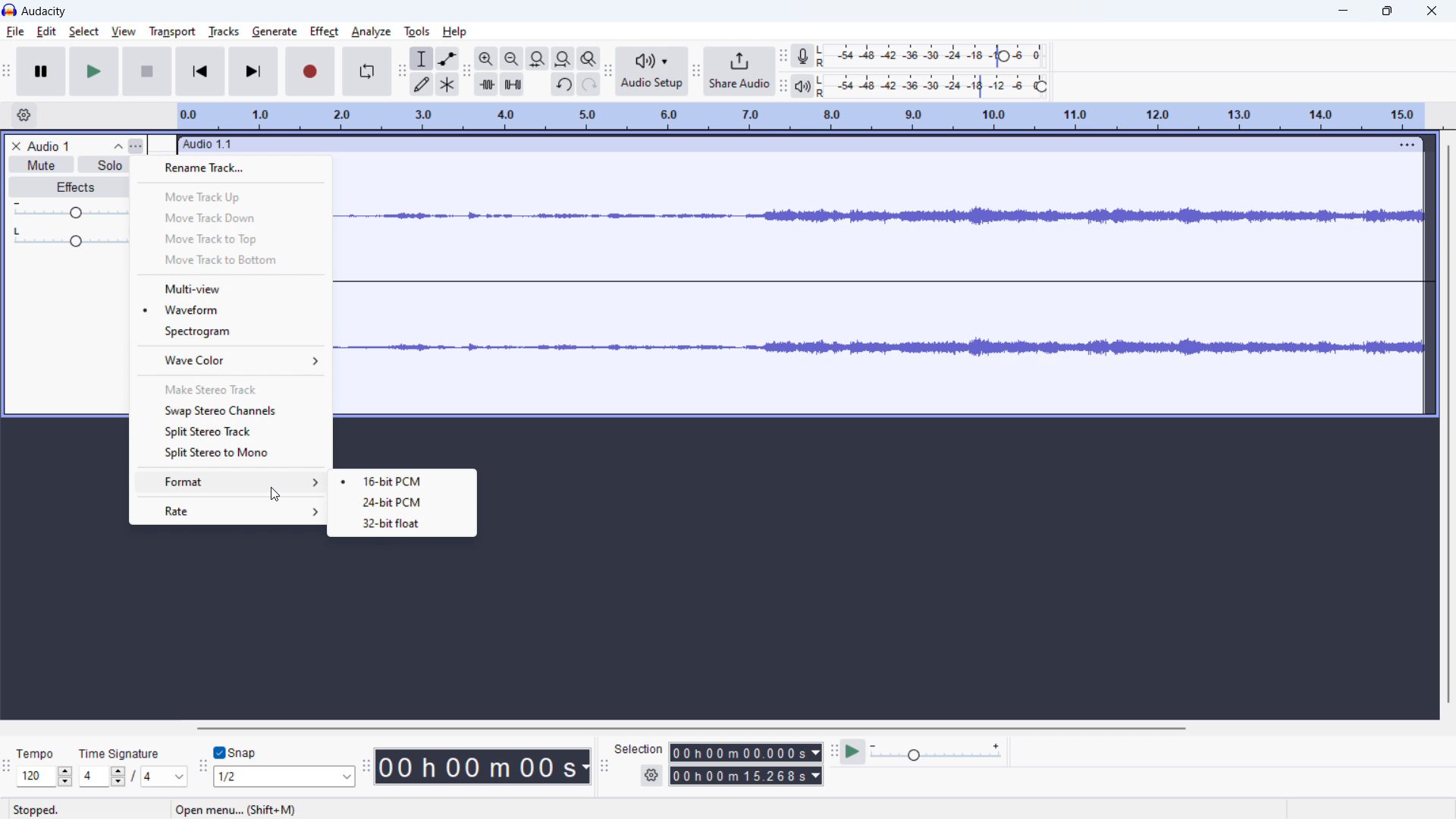  I want to click on select, so click(84, 31).